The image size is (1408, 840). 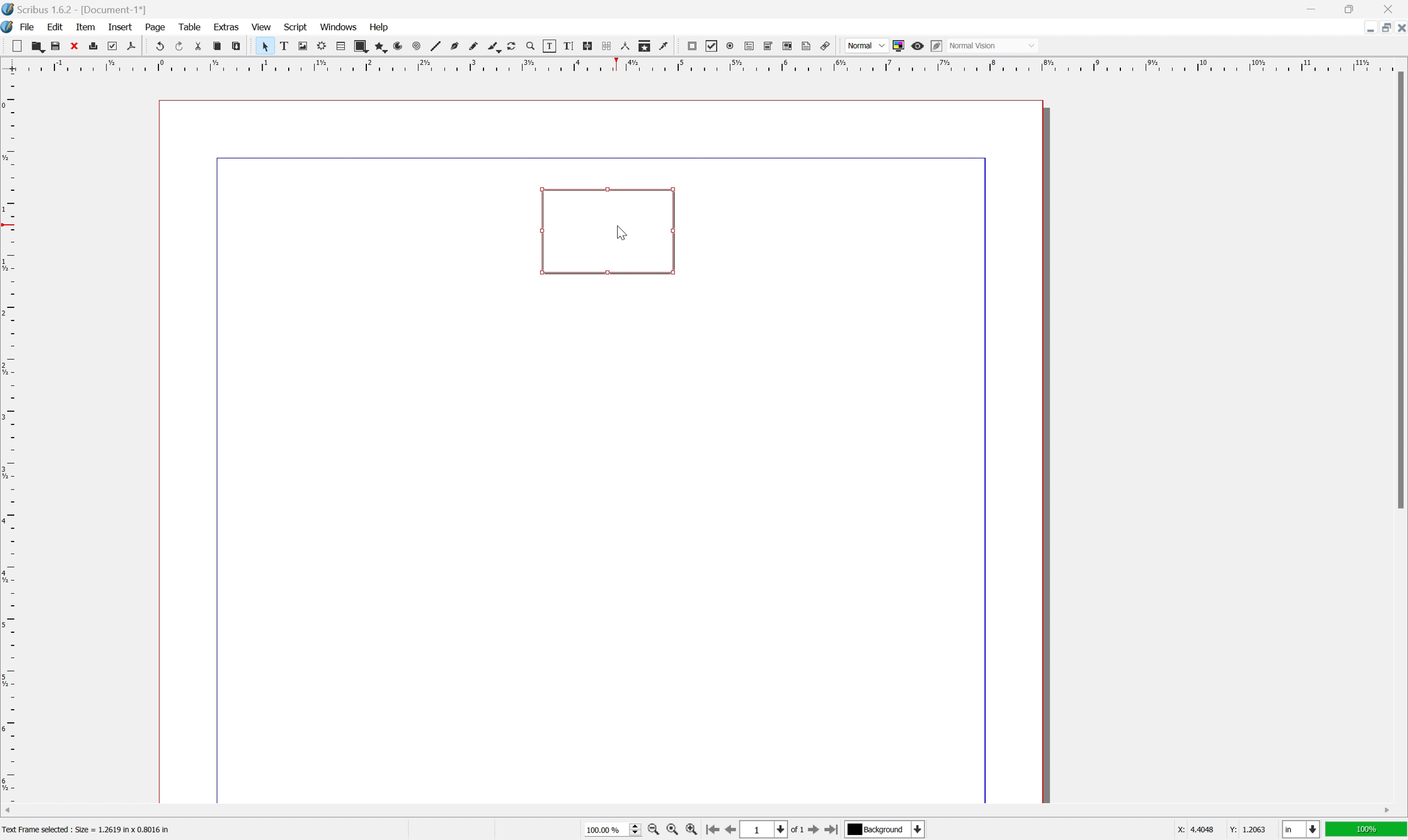 What do you see at coordinates (397, 47) in the screenshot?
I see `arc` at bounding box center [397, 47].